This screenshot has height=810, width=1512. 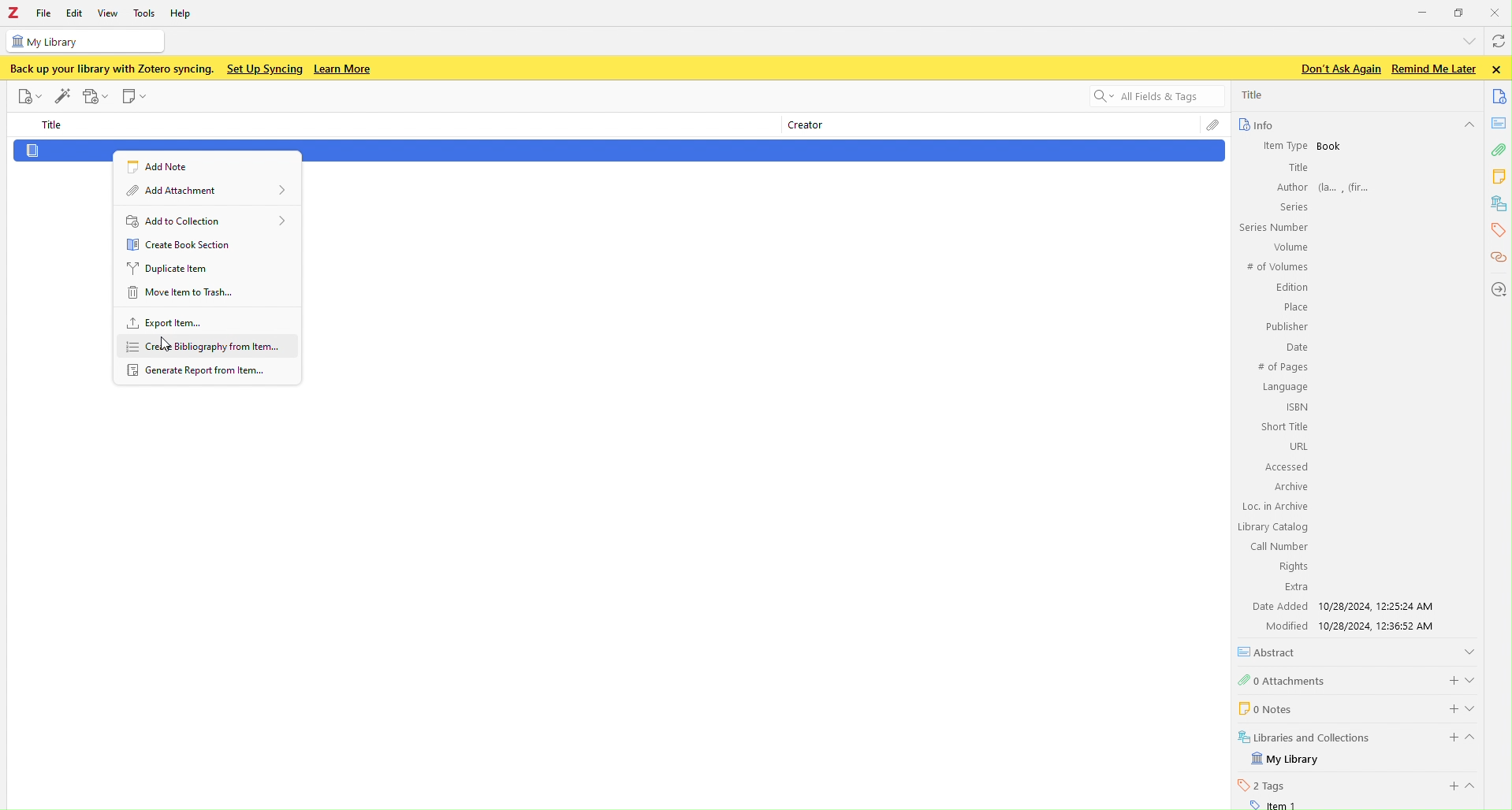 What do you see at coordinates (1468, 126) in the screenshot?
I see `hide` at bounding box center [1468, 126].